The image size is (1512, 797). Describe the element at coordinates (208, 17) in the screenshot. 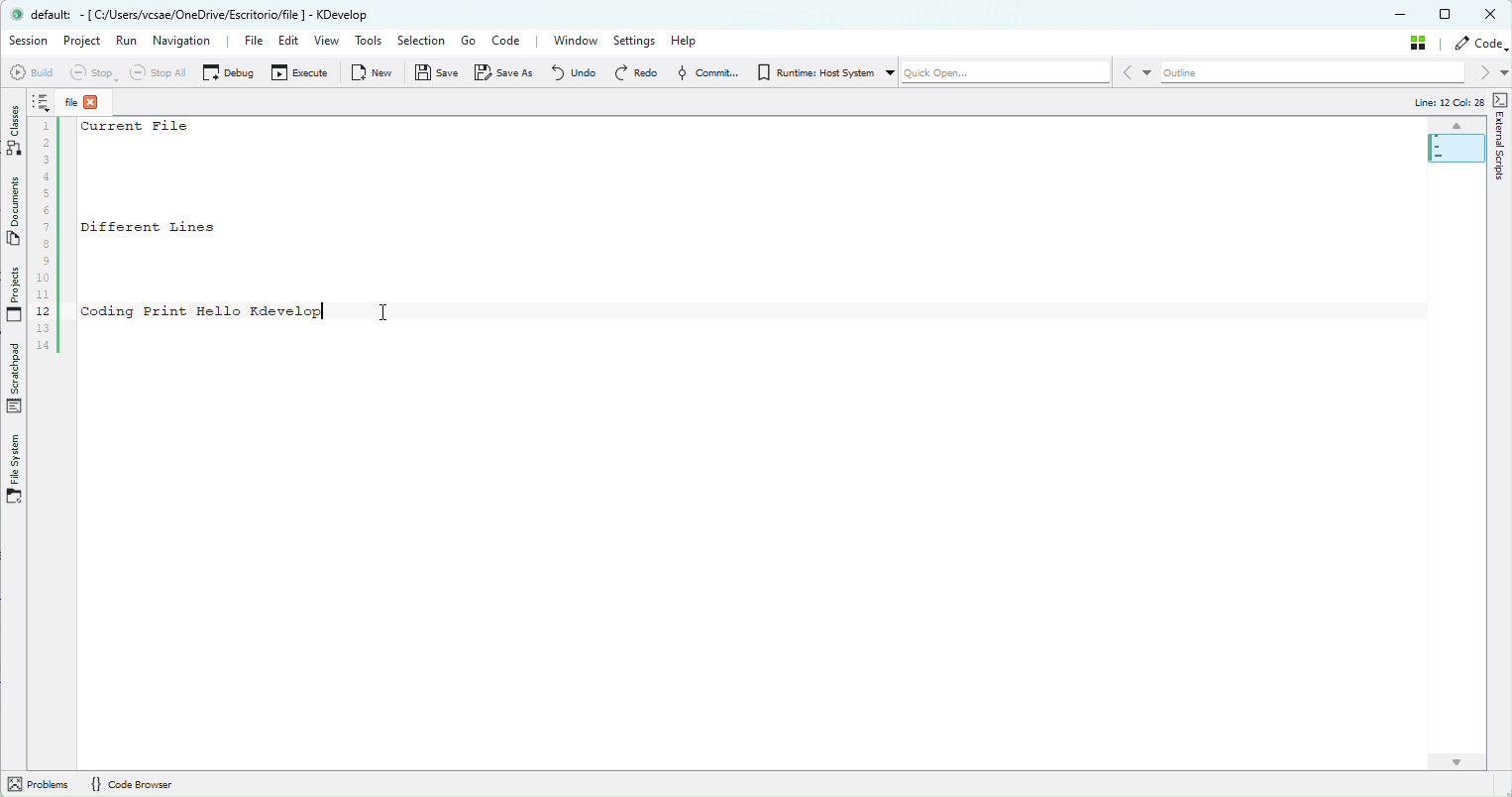

I see `® default: - [ C/Users/vcsae/OneDrive/Escritorioffile | - KDevelop` at that location.